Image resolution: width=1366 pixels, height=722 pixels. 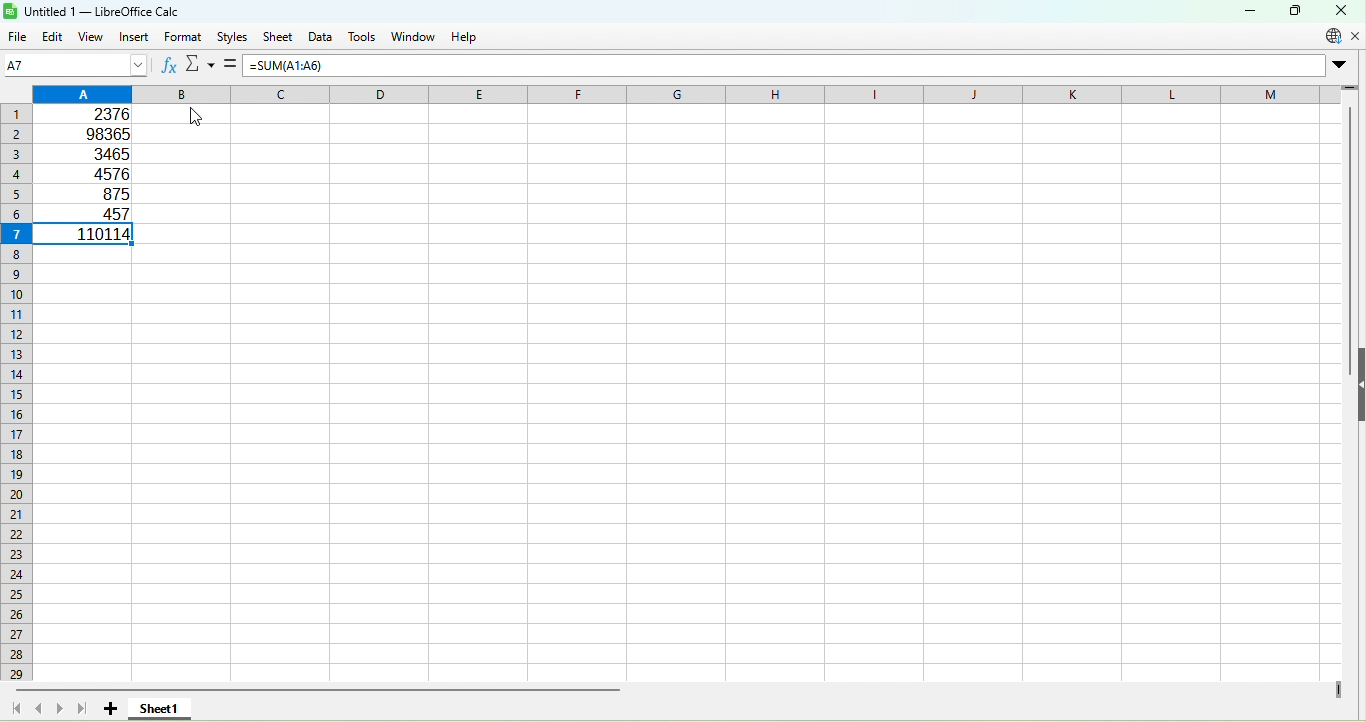 What do you see at coordinates (195, 63) in the screenshot?
I see `Reject` at bounding box center [195, 63].